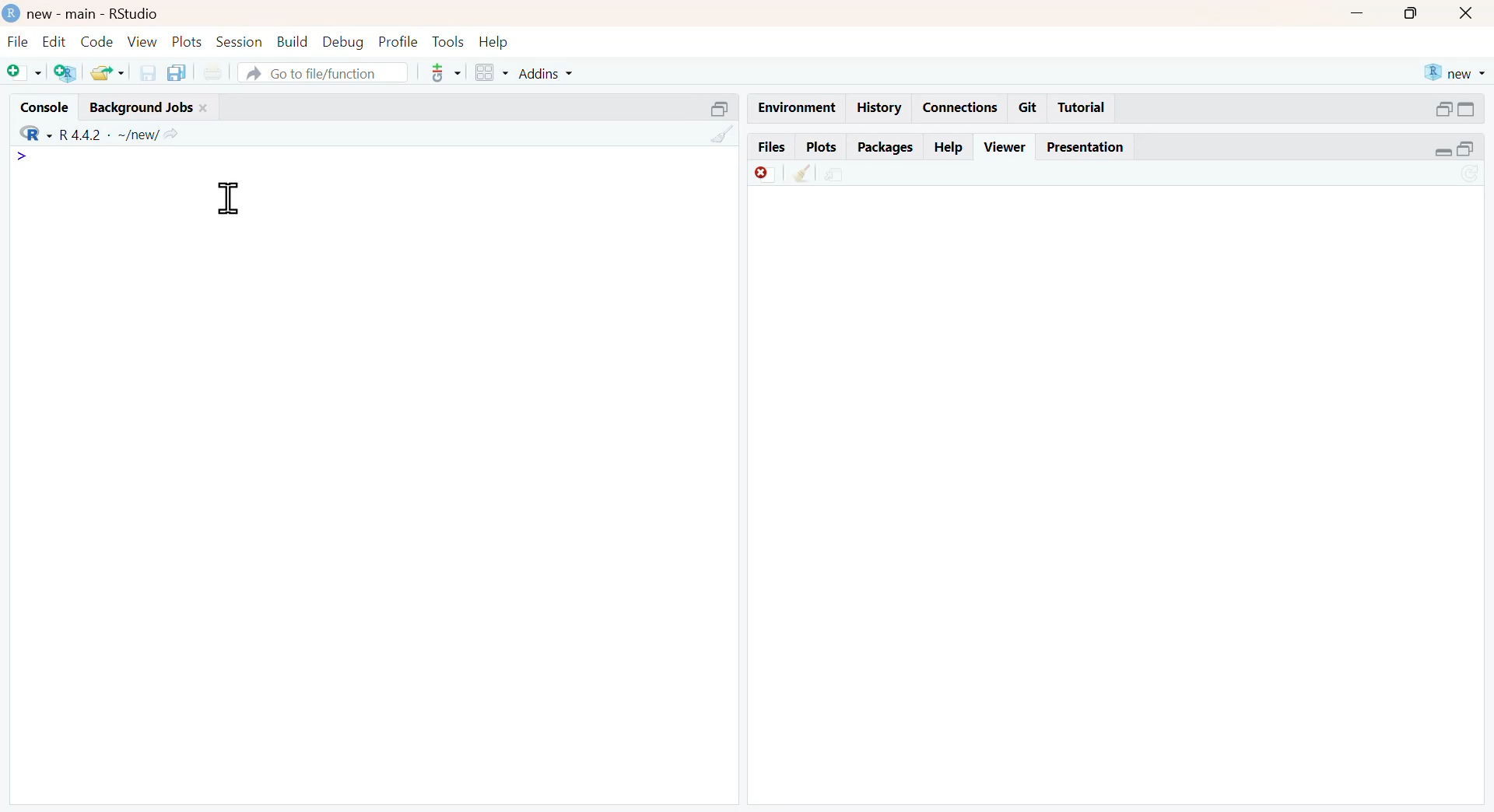 The width and height of the screenshot is (1494, 812). What do you see at coordinates (36, 134) in the screenshot?
I see `R` at bounding box center [36, 134].